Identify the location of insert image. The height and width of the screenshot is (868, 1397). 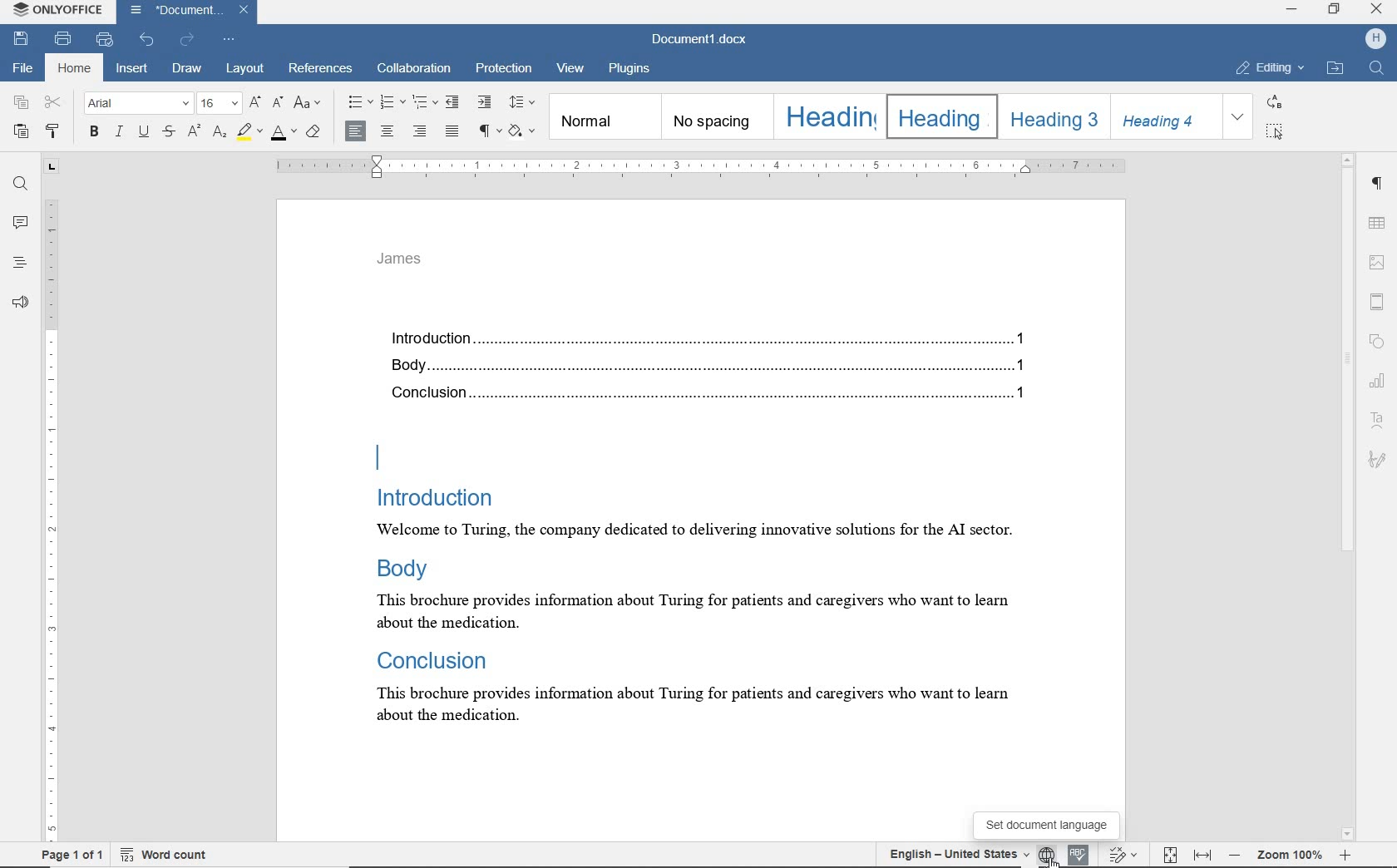
(1378, 263).